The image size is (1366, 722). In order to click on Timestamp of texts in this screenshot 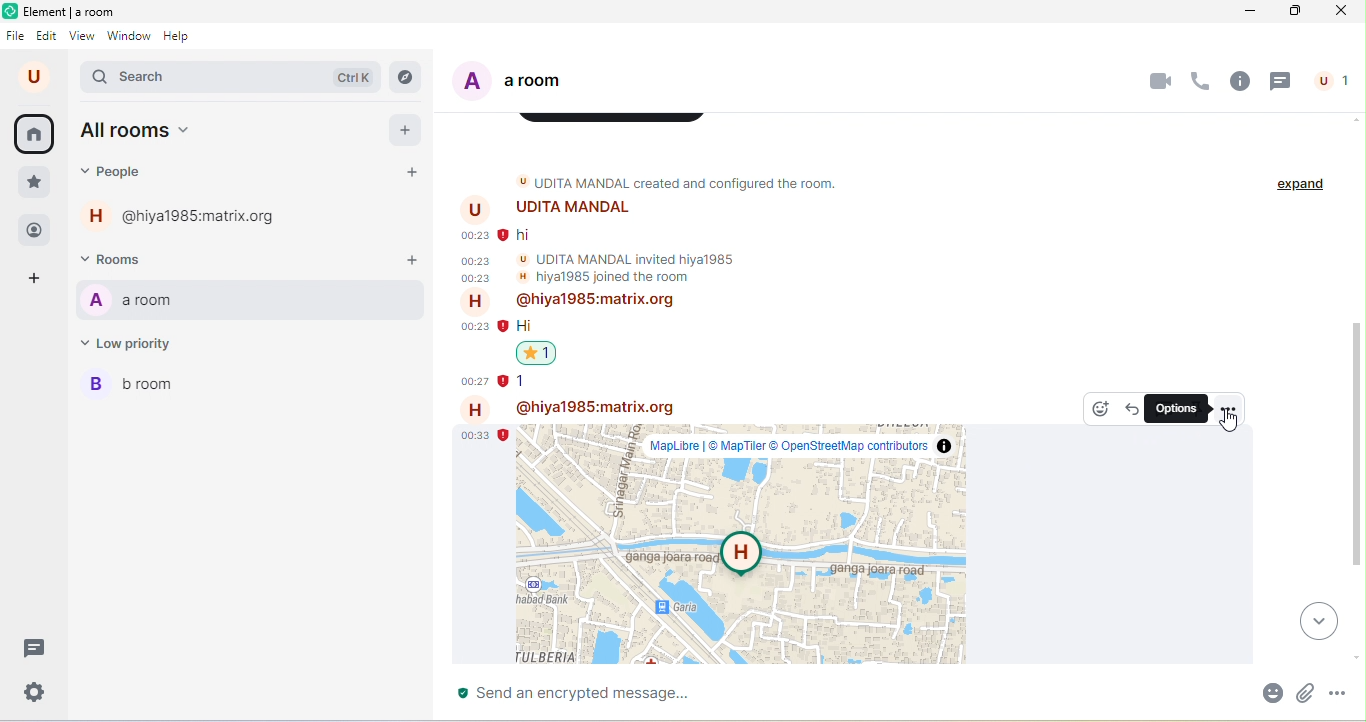, I will do `click(475, 256)`.